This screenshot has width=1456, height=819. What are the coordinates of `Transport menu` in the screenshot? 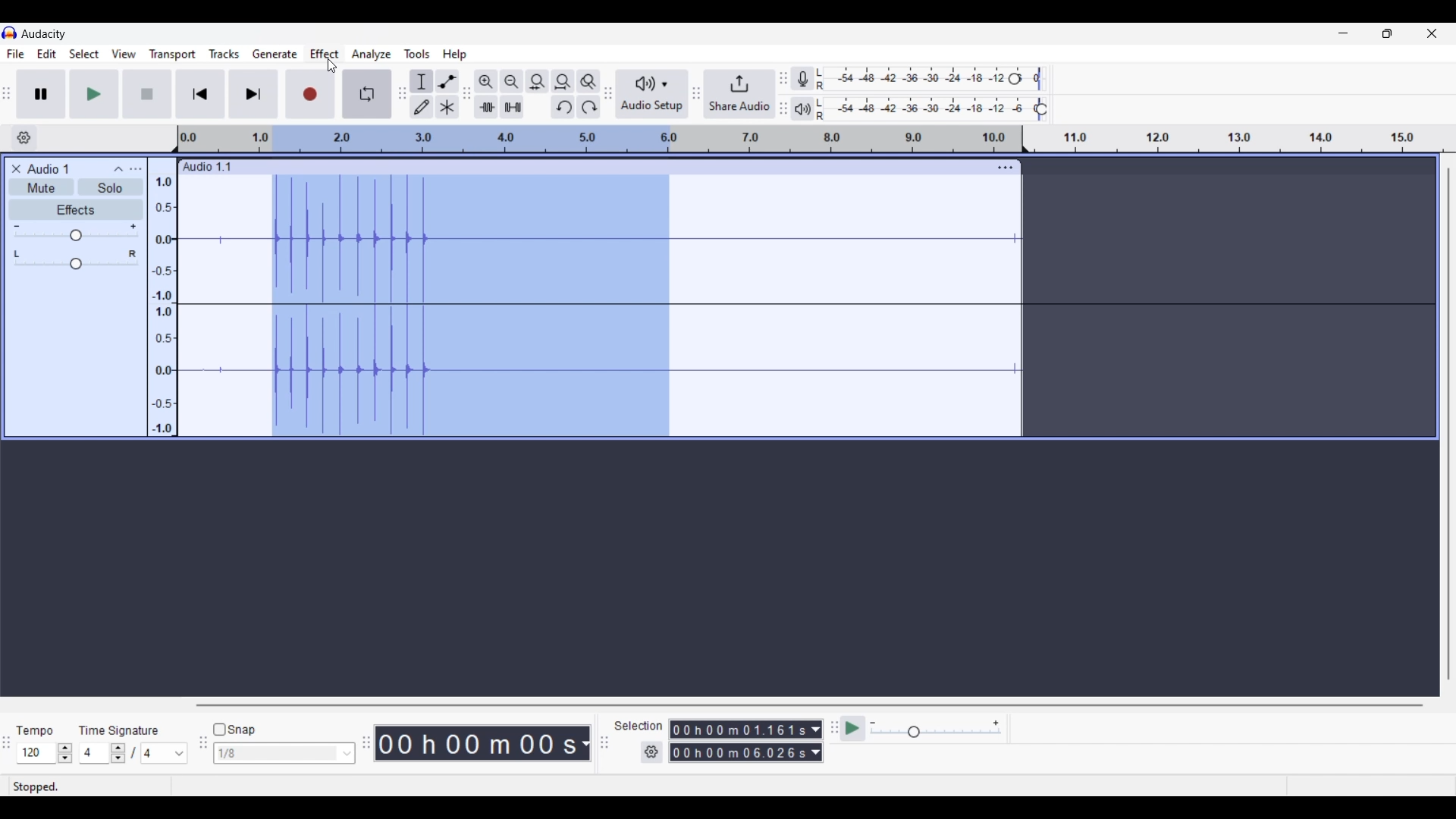 It's located at (173, 54).